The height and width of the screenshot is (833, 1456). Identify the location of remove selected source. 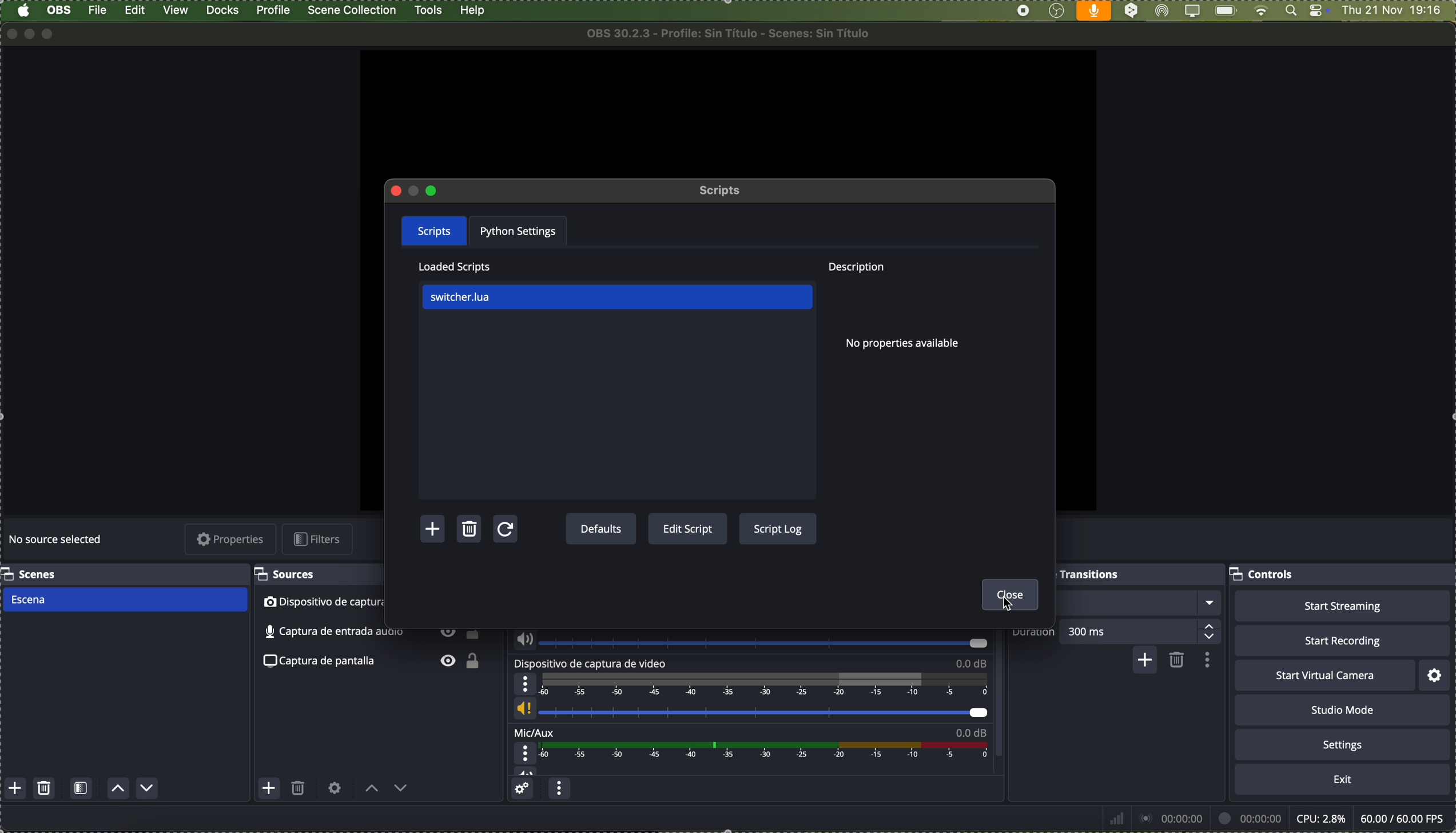
(299, 791).